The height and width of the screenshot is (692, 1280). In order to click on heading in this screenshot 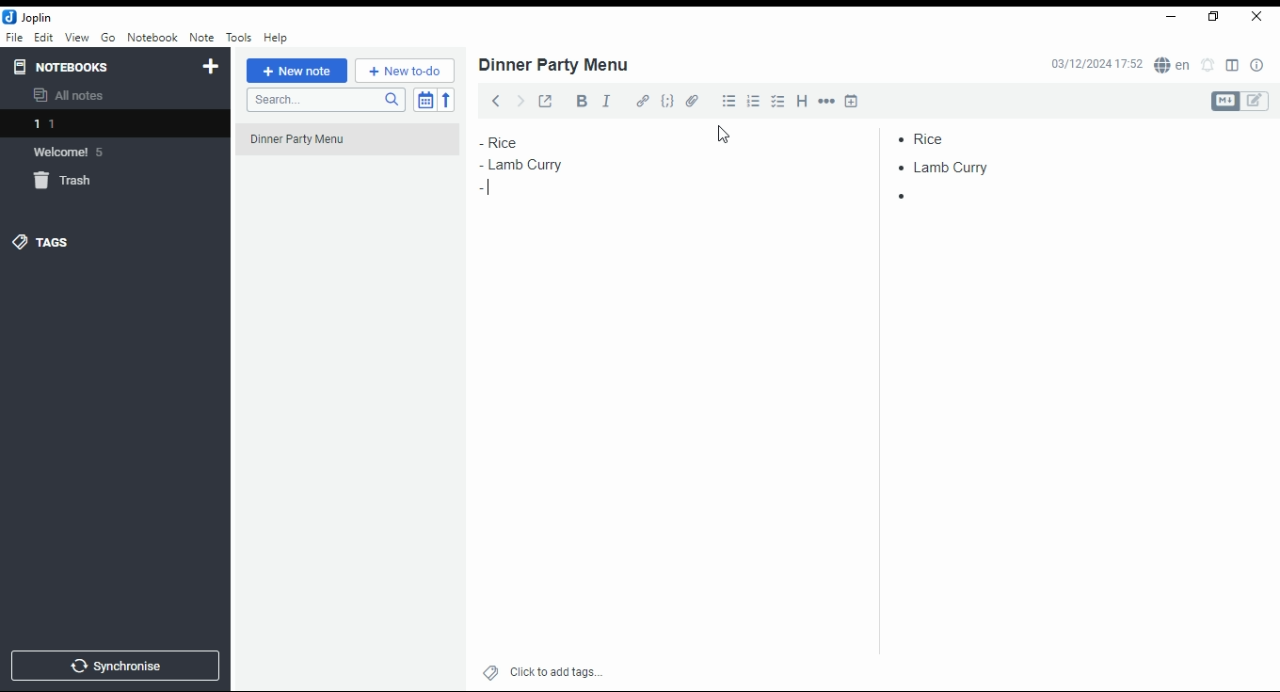, I will do `click(803, 102)`.